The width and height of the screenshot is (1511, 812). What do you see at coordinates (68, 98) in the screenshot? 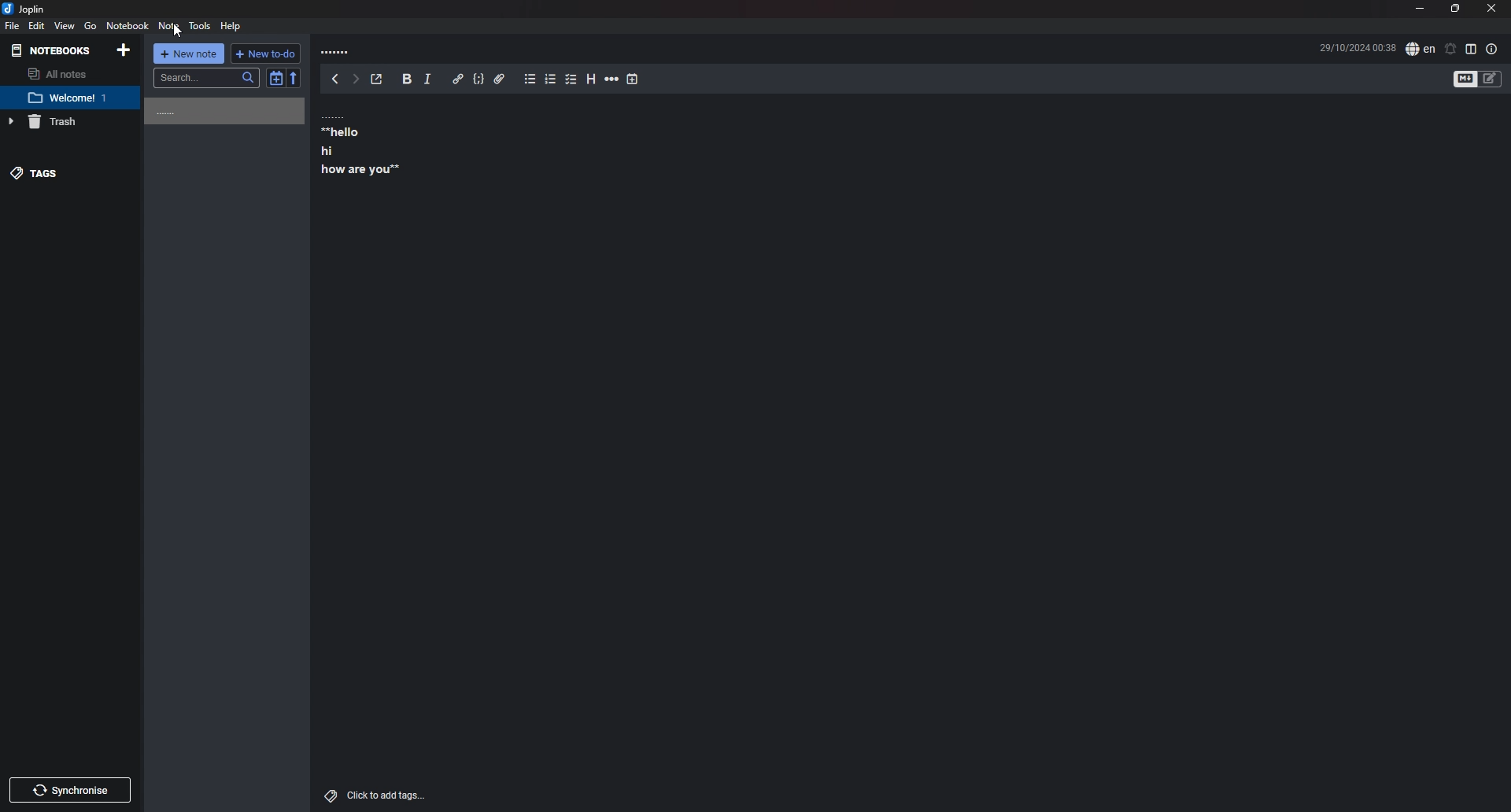
I see `note` at bounding box center [68, 98].